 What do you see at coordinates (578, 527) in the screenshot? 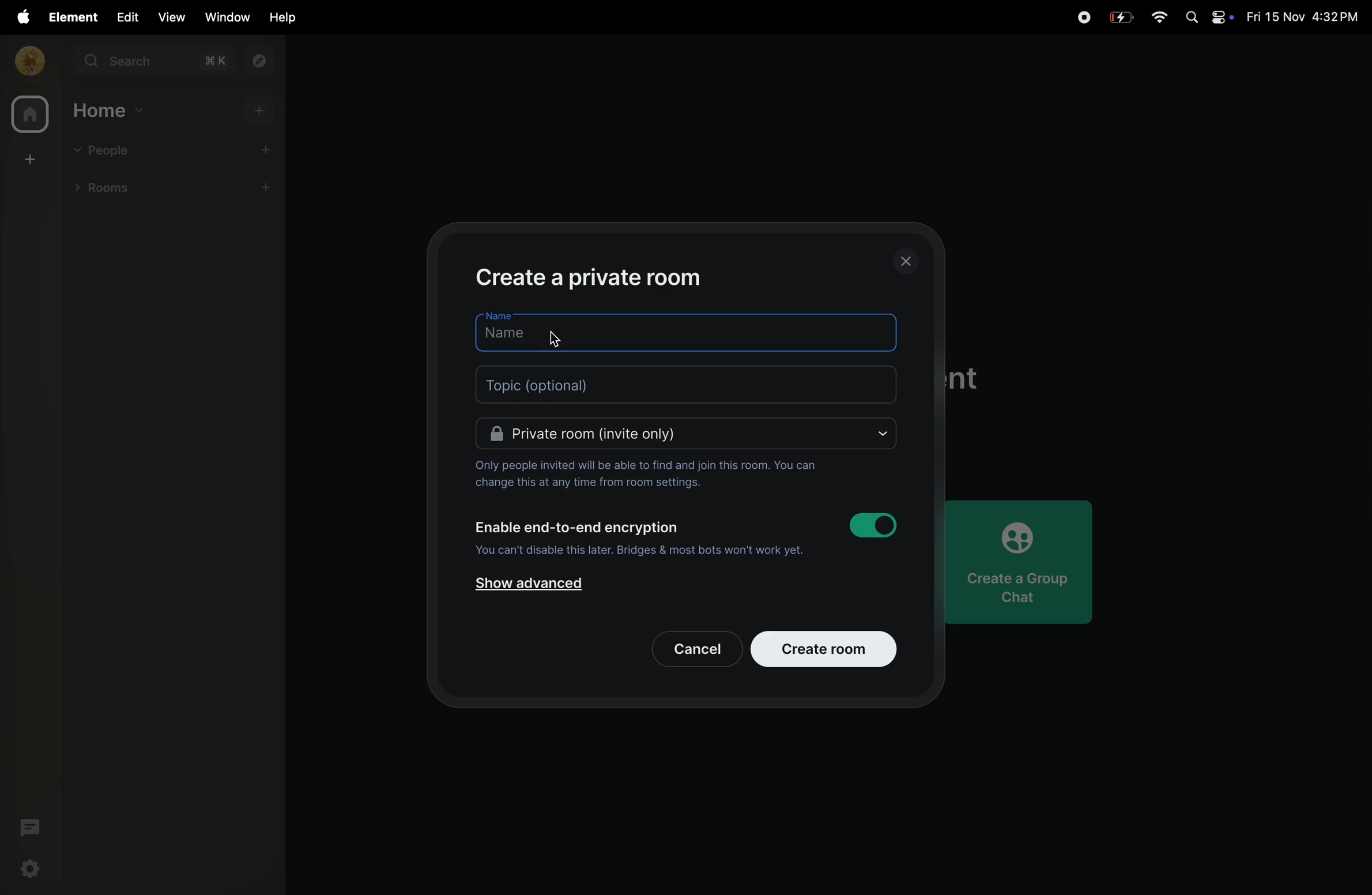
I see `Enable end to end encryption` at bounding box center [578, 527].